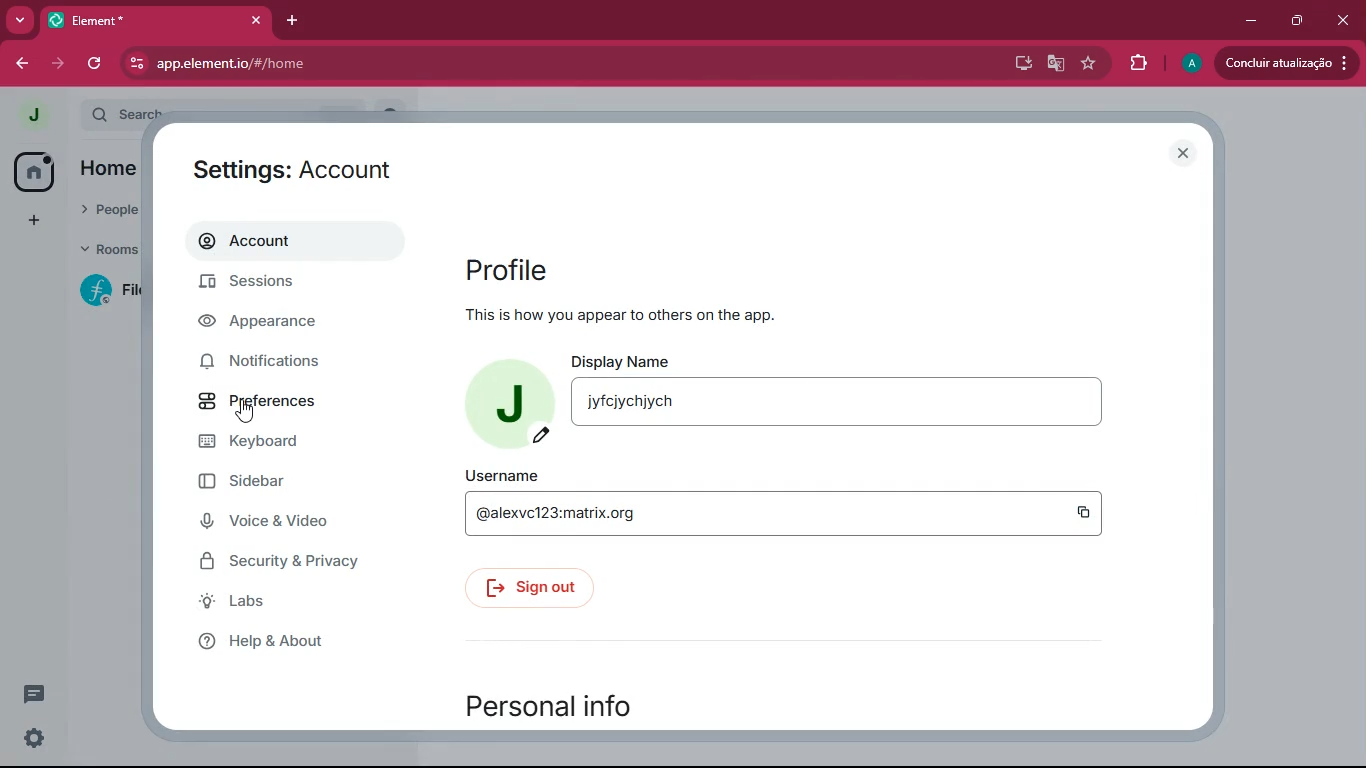 This screenshot has width=1366, height=768. I want to click on sign out, so click(535, 588).